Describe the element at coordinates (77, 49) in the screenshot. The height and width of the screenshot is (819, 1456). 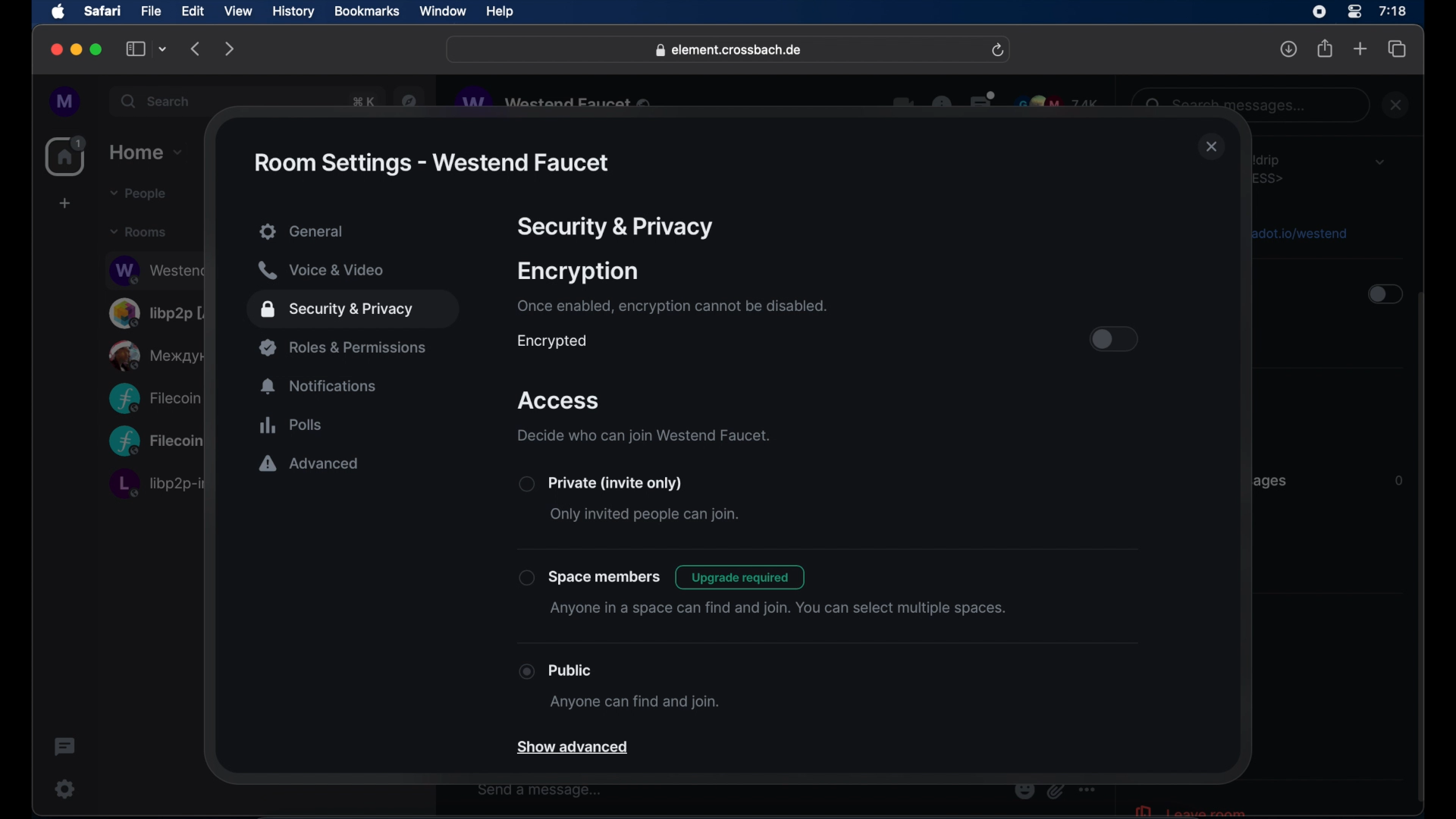
I see `minimize` at that location.